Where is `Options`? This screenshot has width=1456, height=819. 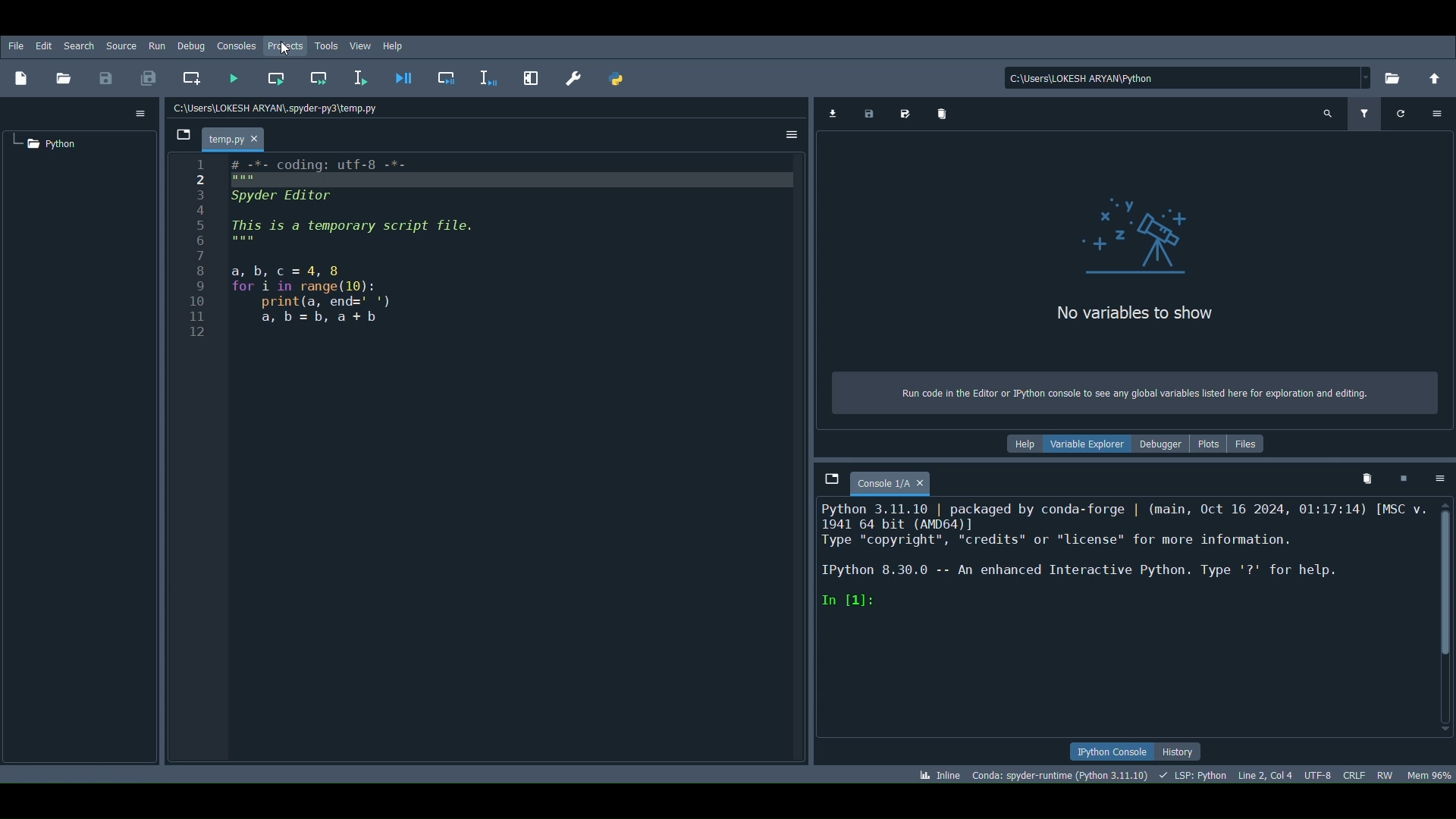
Options is located at coordinates (141, 112).